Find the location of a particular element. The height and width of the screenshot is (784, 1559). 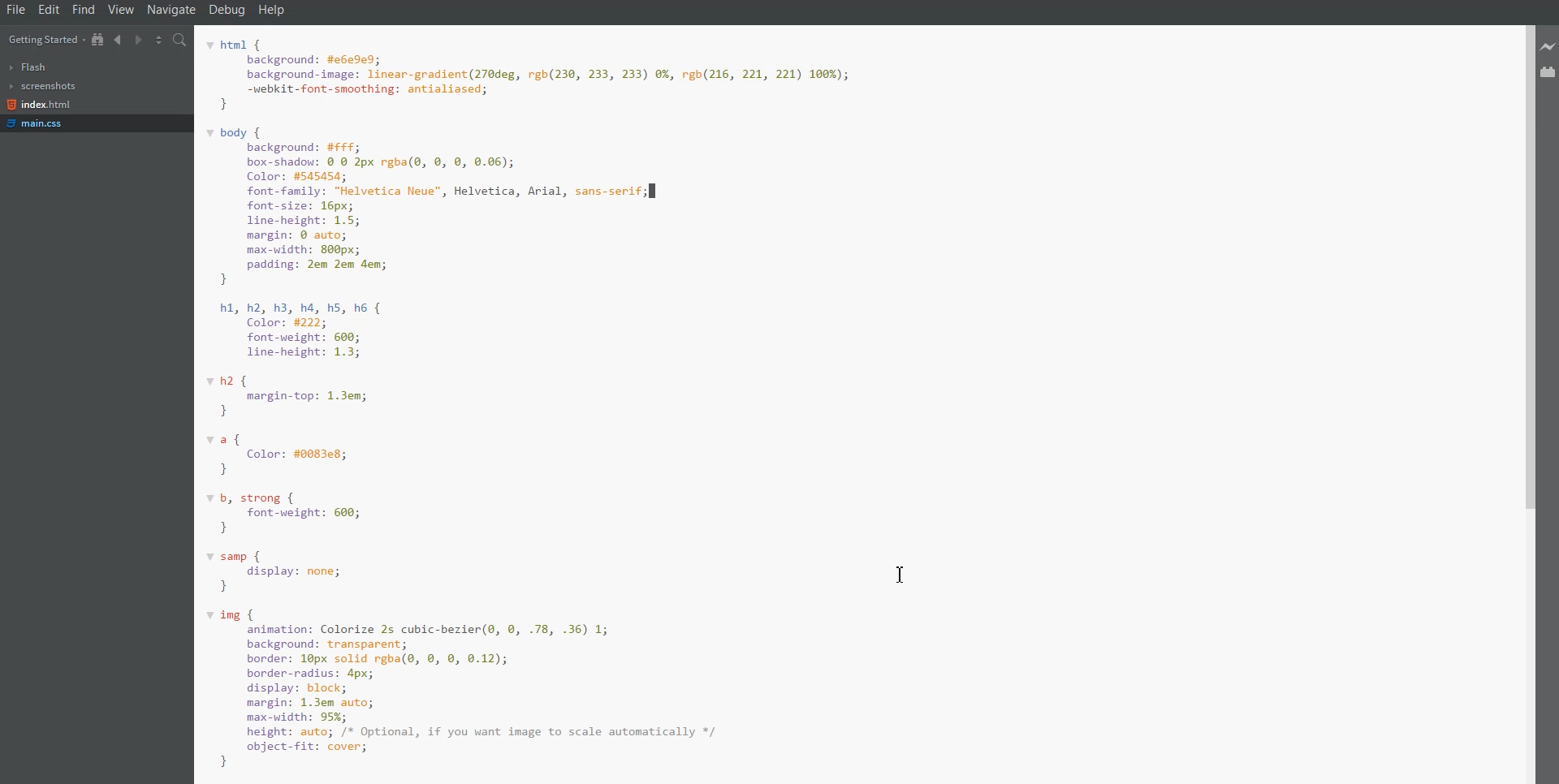

Screenshots is located at coordinates (42, 86).